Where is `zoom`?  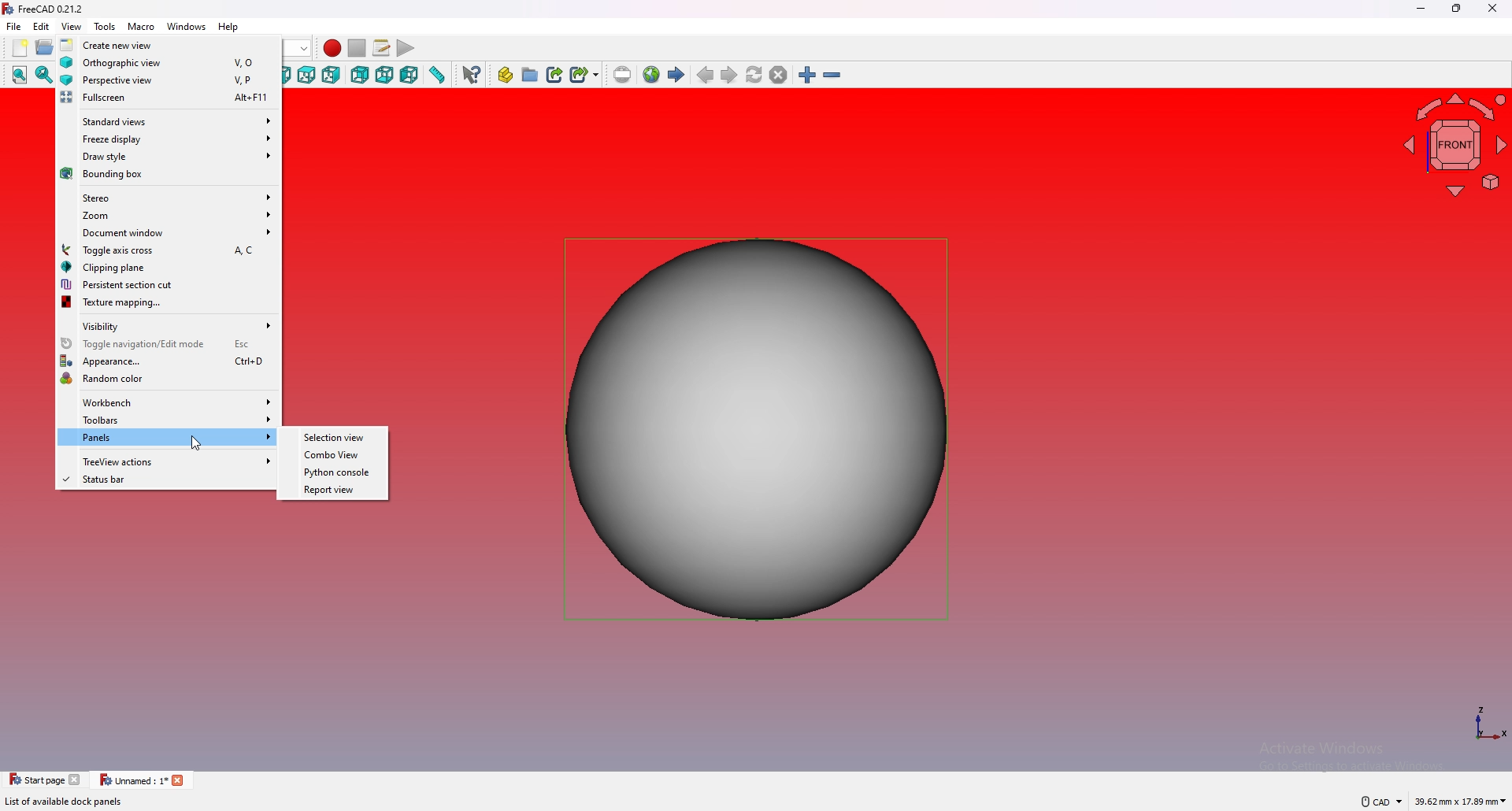
zoom is located at coordinates (169, 215).